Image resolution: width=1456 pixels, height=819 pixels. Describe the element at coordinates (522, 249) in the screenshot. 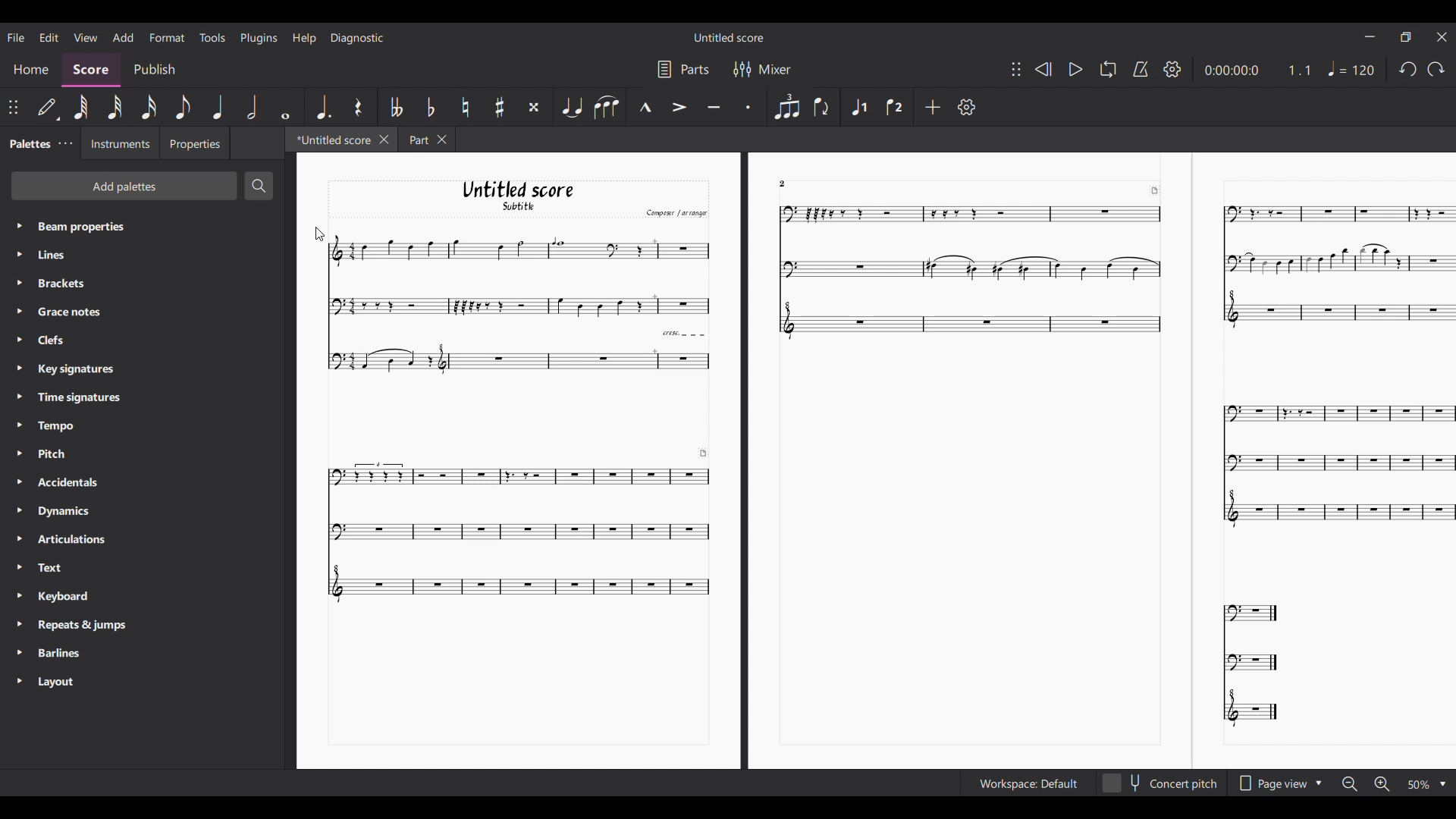

I see `` at that location.